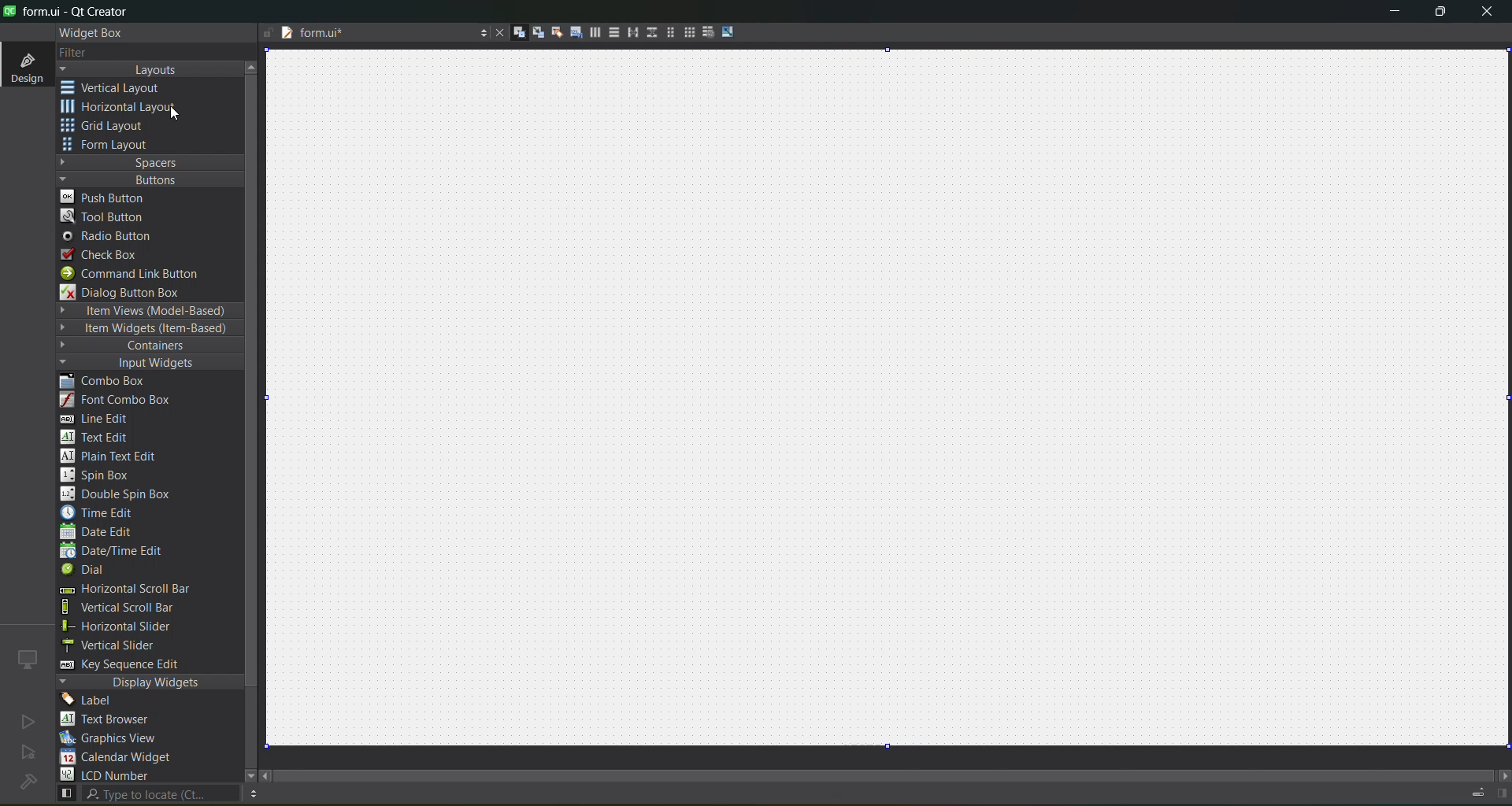 The image size is (1512, 806). Describe the element at coordinates (110, 145) in the screenshot. I see `form` at that location.